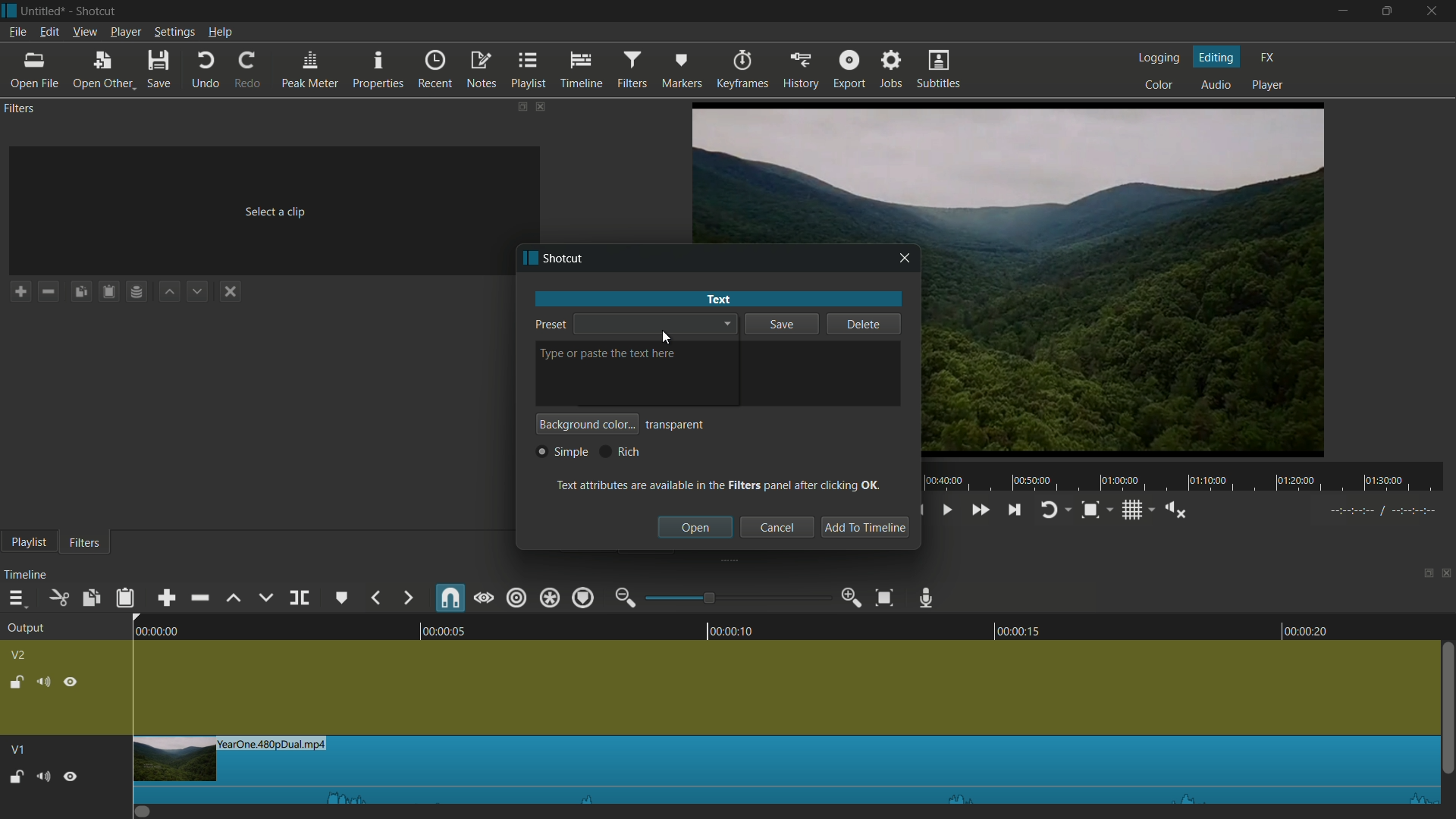 Image resolution: width=1456 pixels, height=819 pixels. I want to click on 00:00:20, so click(1313, 630).